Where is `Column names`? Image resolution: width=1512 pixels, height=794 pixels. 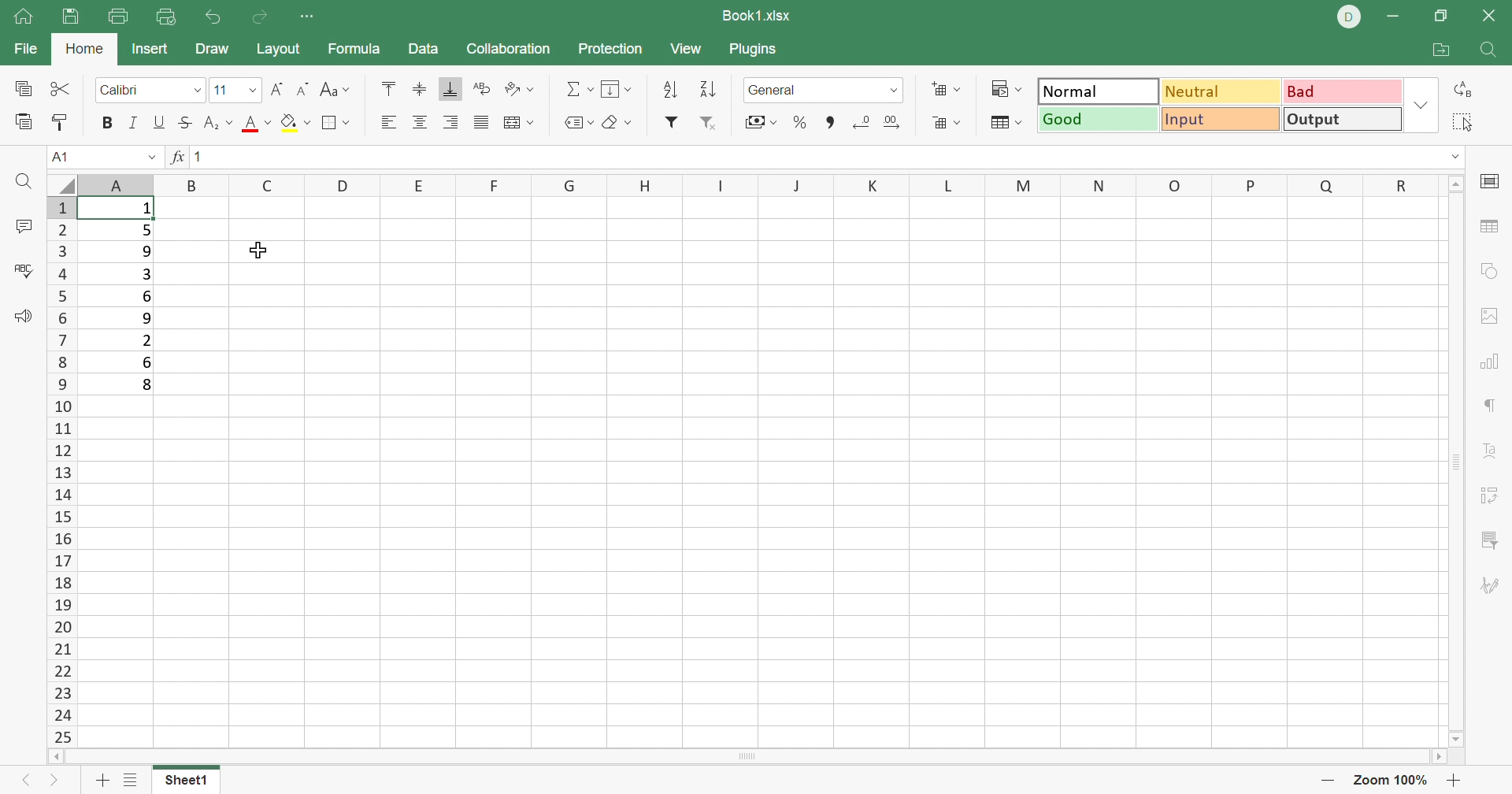
Column names is located at coordinates (755, 184).